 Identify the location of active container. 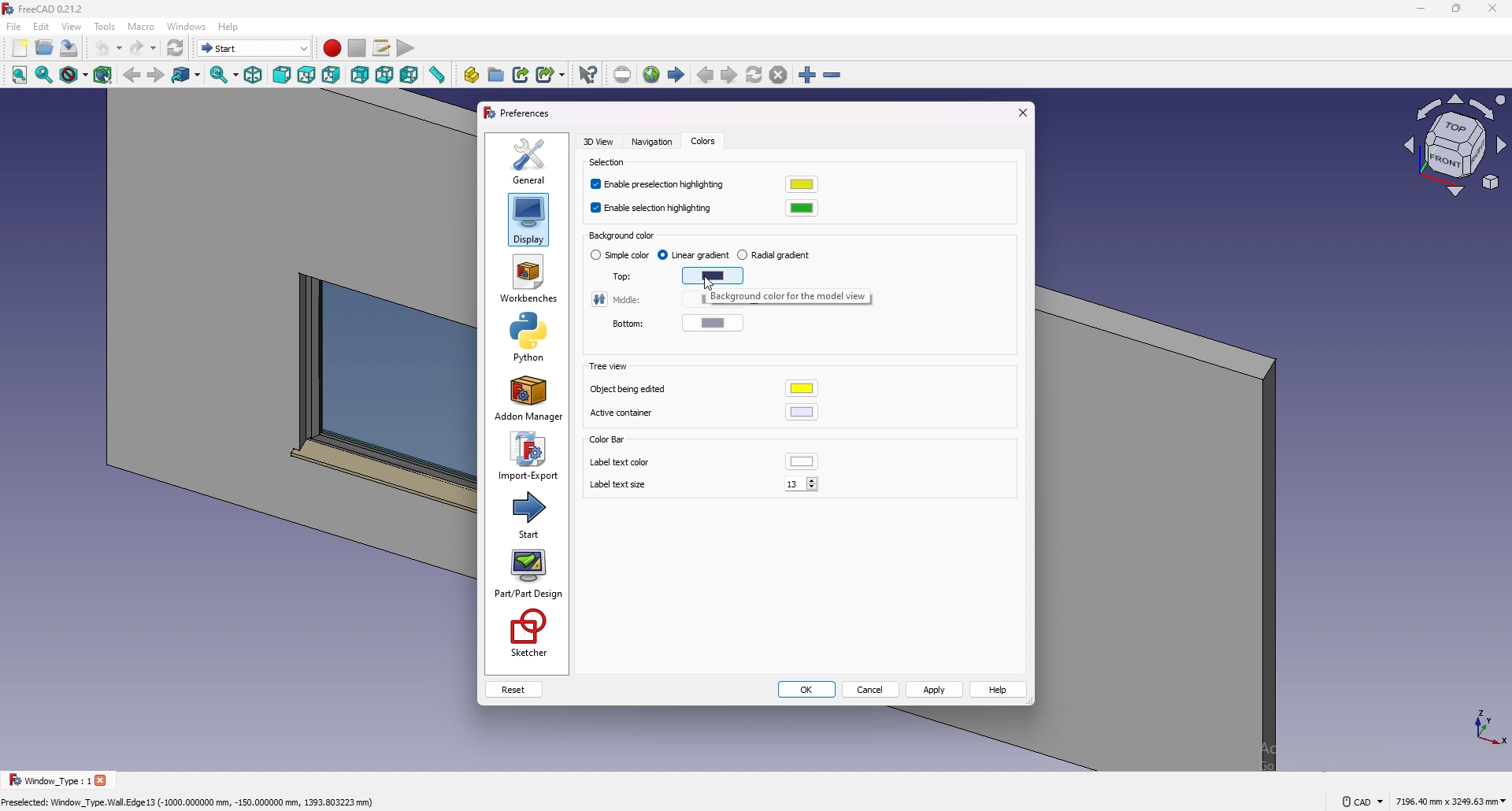
(630, 414).